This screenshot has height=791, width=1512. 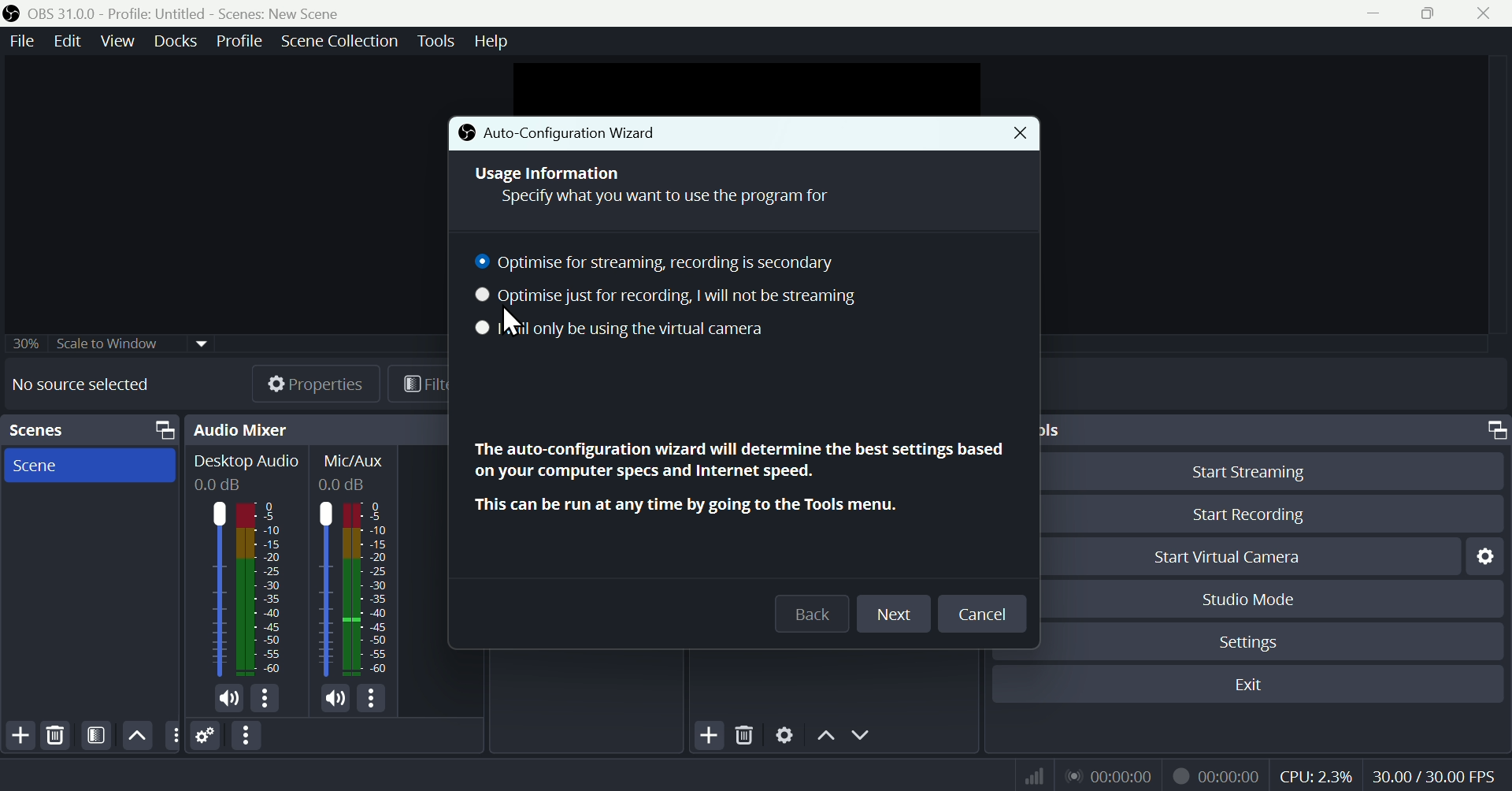 What do you see at coordinates (301, 383) in the screenshot?
I see `Properties` at bounding box center [301, 383].